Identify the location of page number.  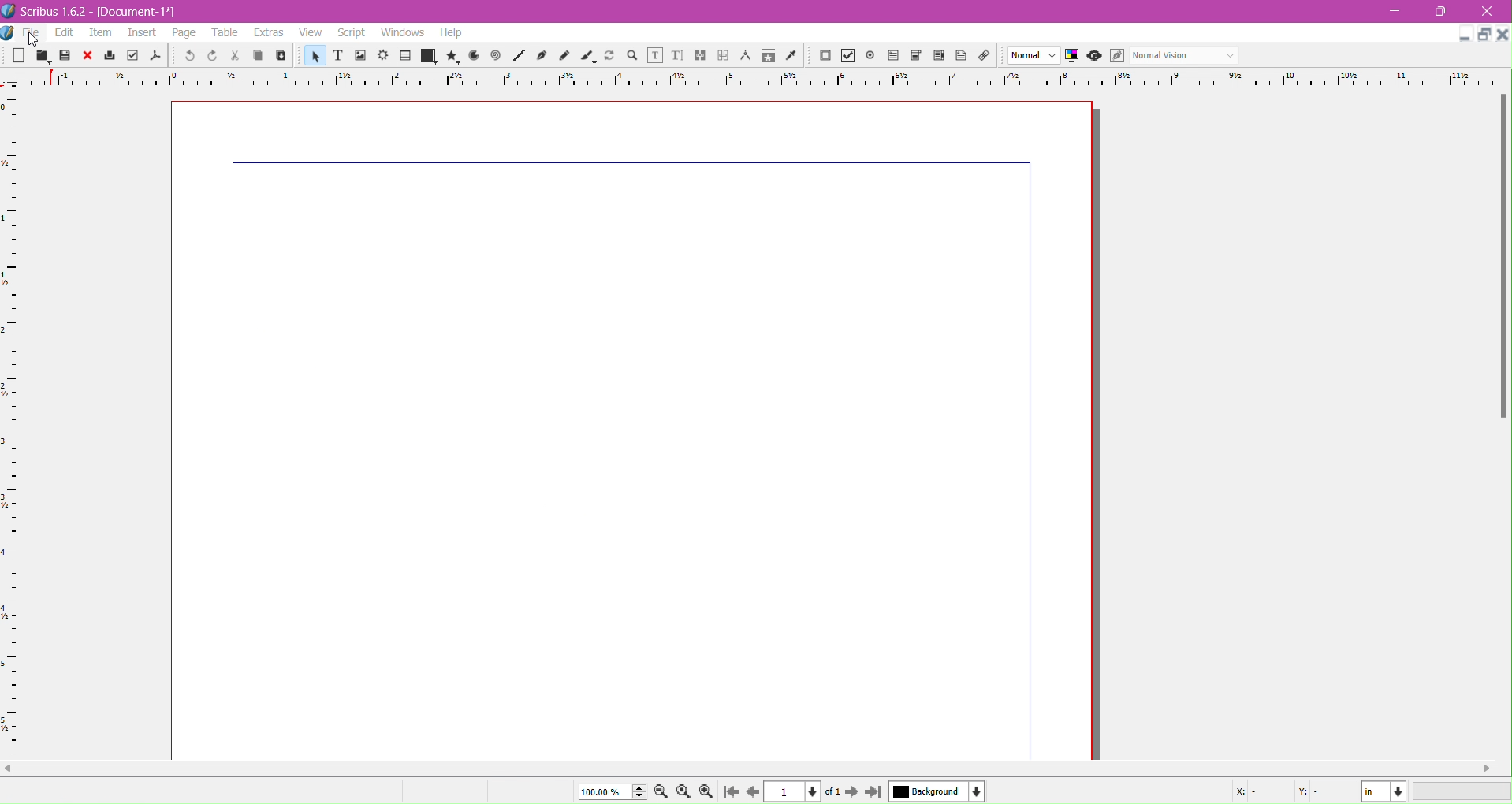
(805, 792).